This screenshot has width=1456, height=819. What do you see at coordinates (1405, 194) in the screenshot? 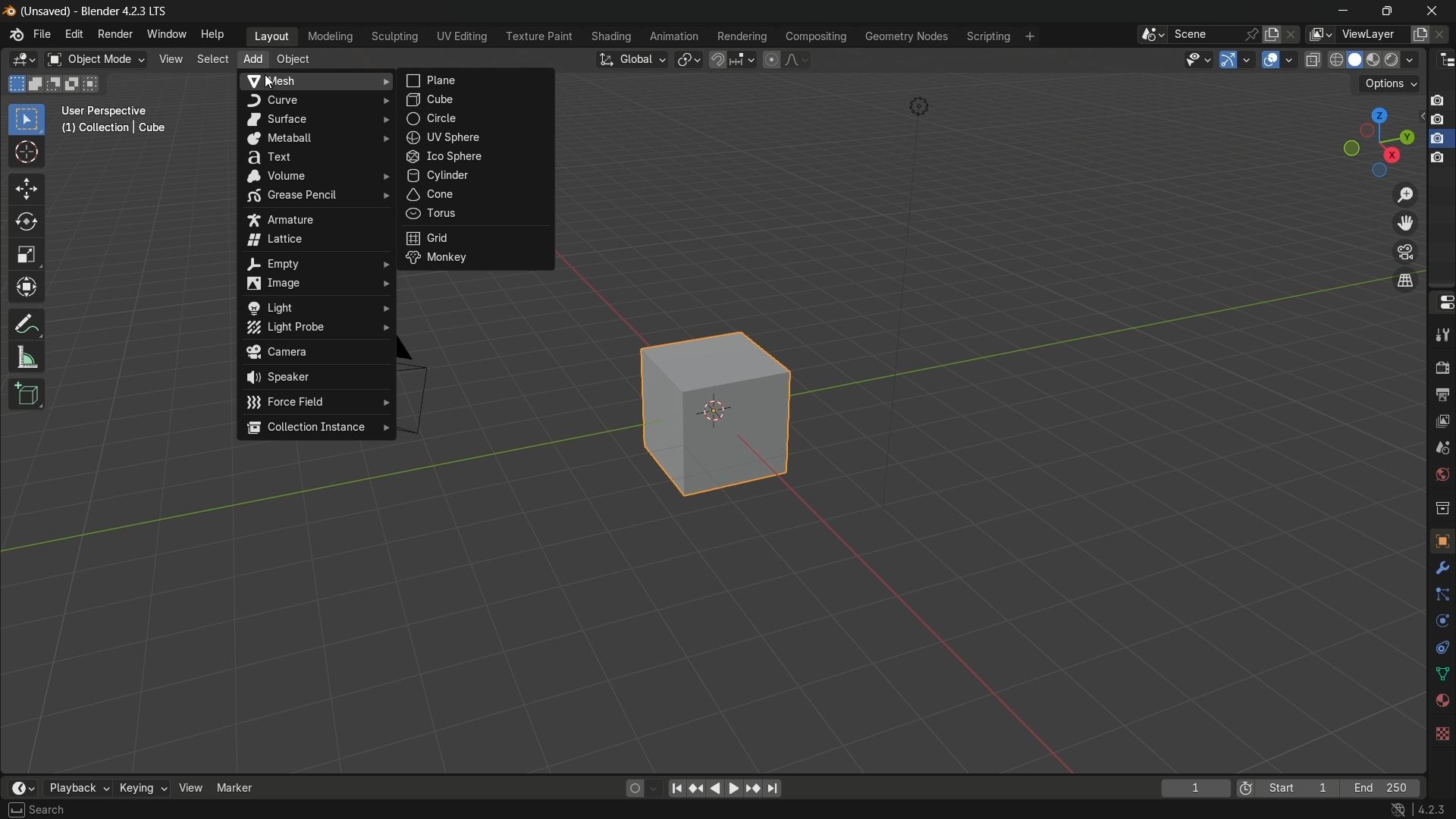
I see `zoom in/out` at bounding box center [1405, 194].